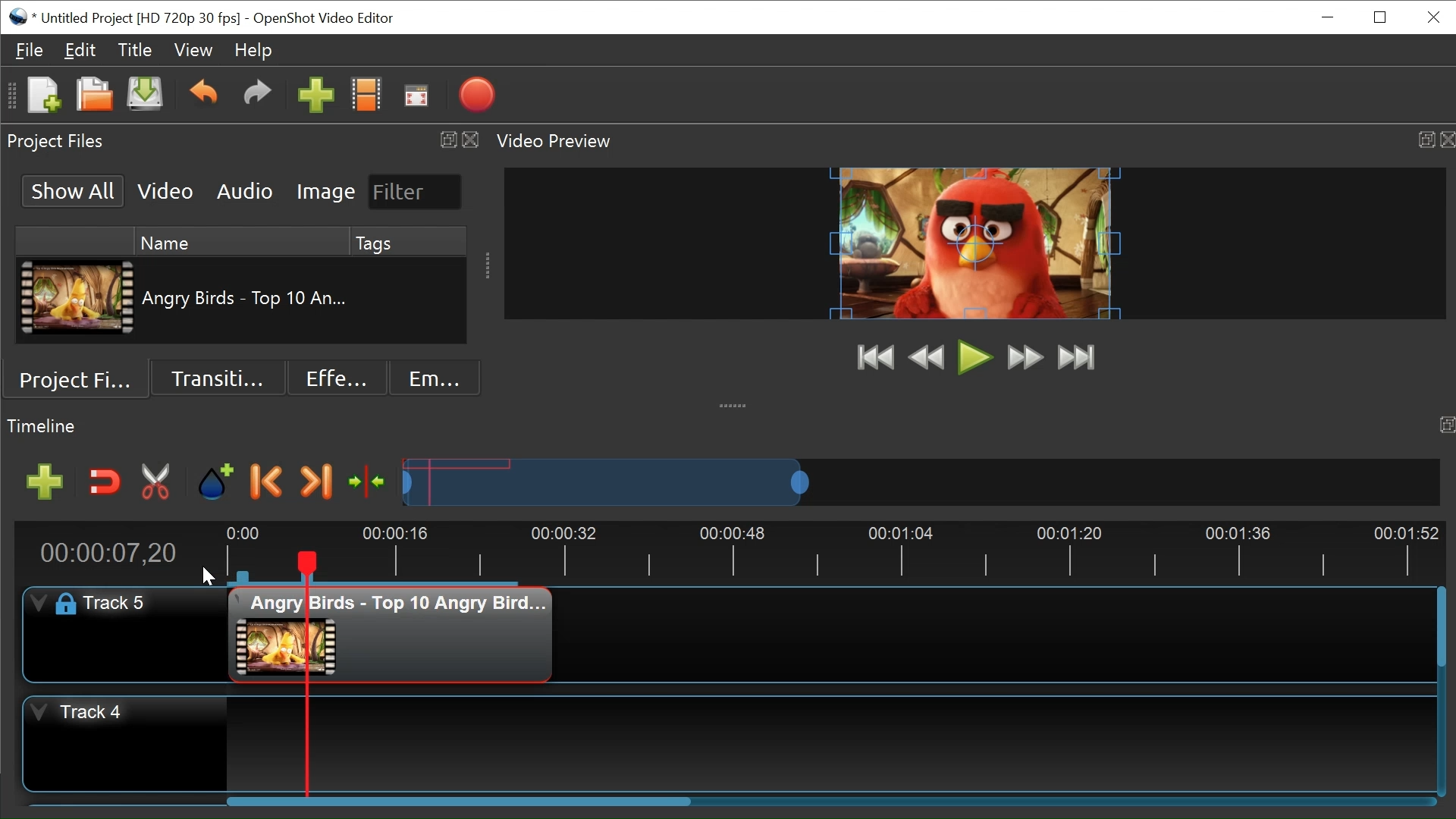 The image size is (1456, 819). Describe the element at coordinates (207, 570) in the screenshot. I see `cursor` at that location.